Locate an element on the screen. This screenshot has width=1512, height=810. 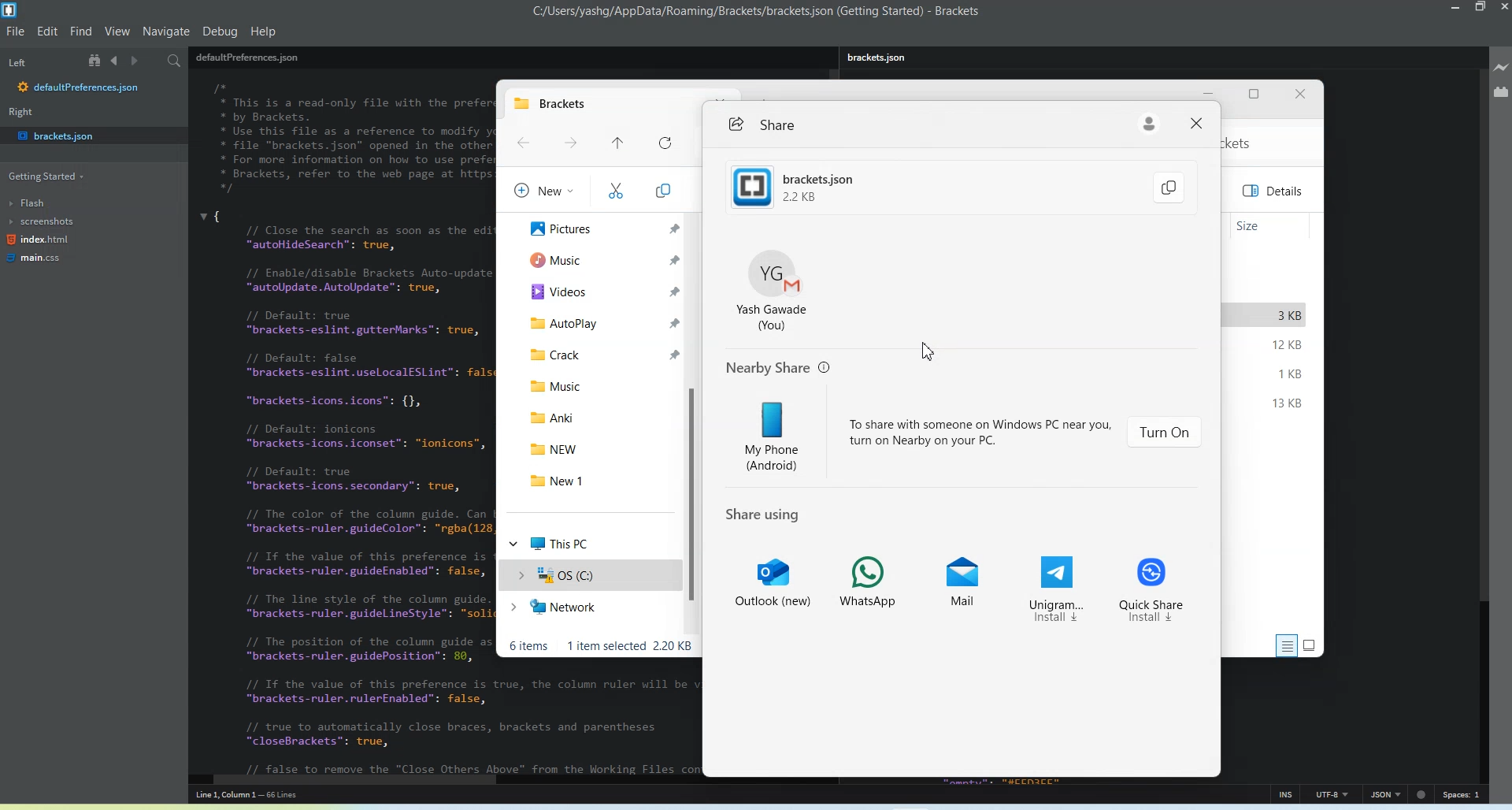
Navigate Forwards is located at coordinates (139, 61).